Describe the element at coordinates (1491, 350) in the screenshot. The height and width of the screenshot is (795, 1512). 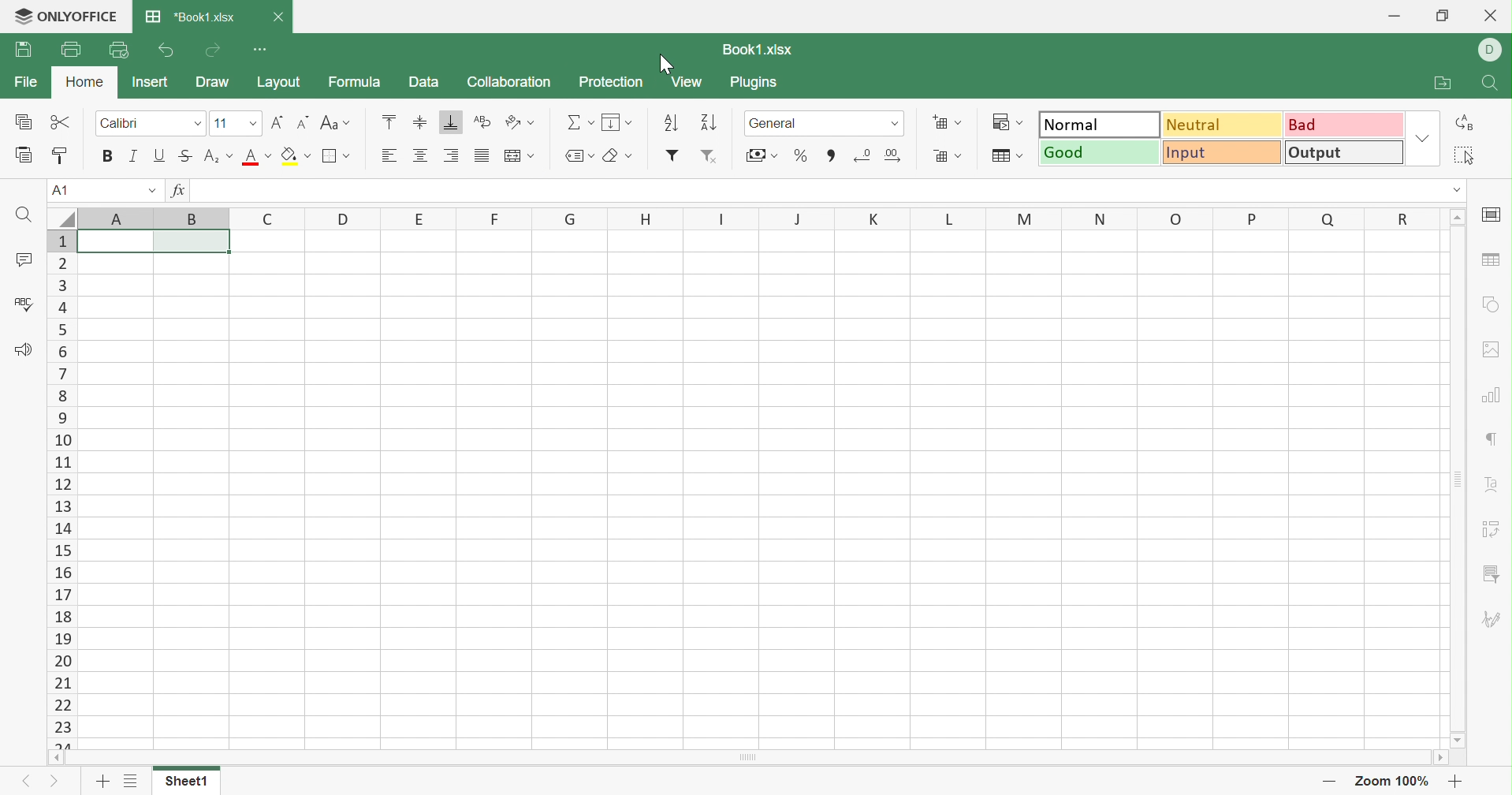
I see `Image settings` at that location.